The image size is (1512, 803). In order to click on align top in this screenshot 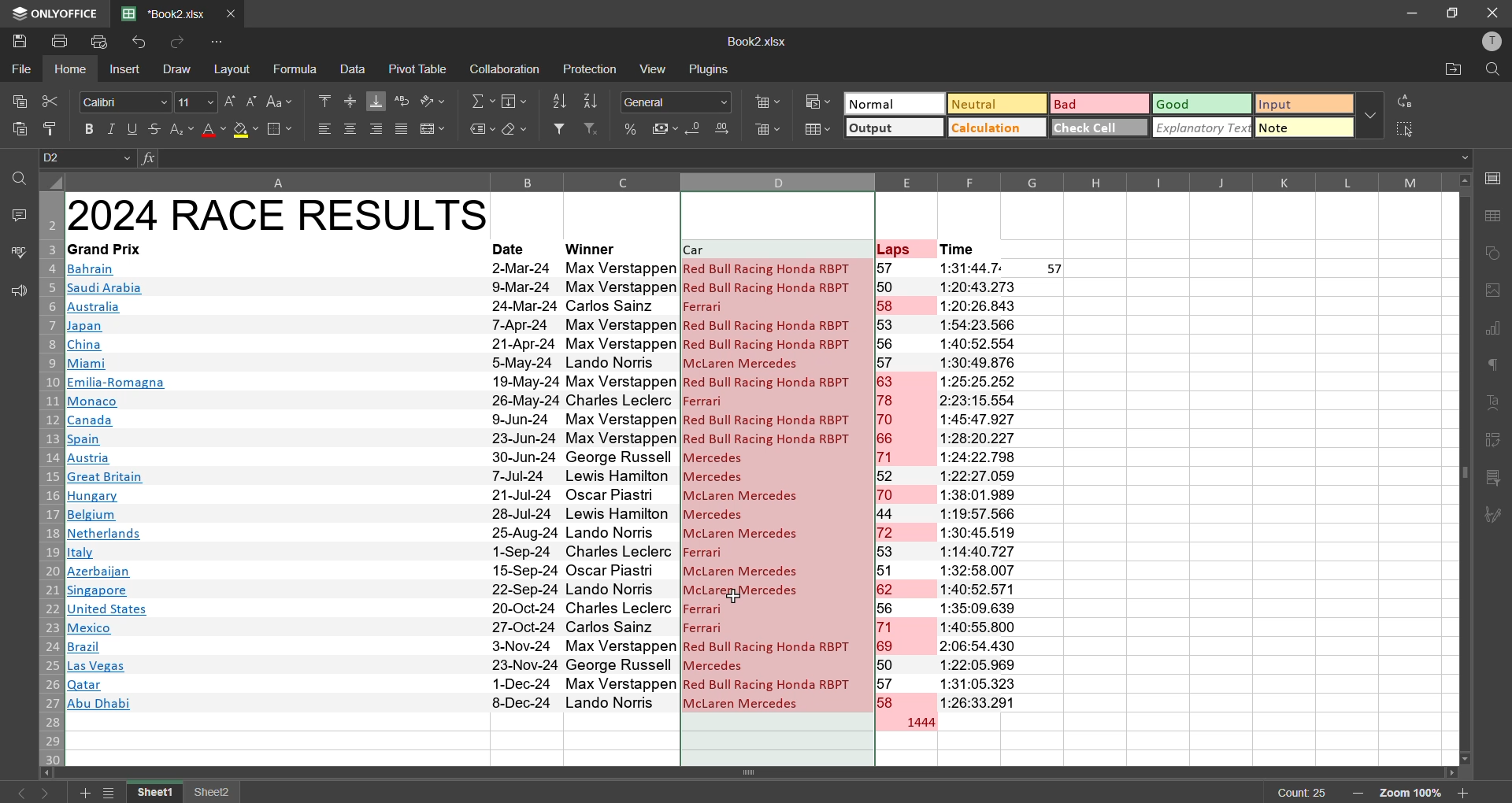, I will do `click(324, 99)`.